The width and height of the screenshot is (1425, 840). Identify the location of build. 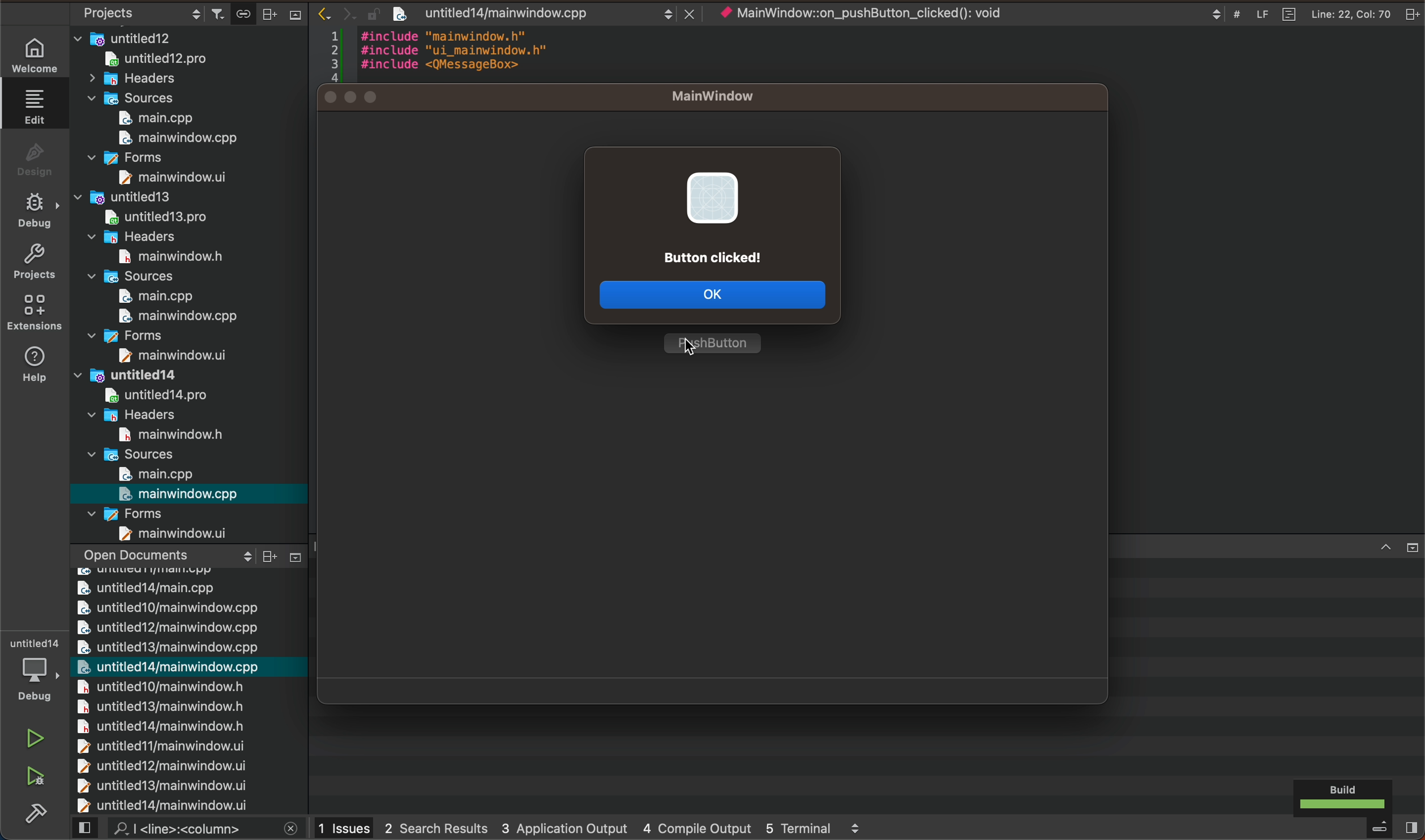
(1342, 796).